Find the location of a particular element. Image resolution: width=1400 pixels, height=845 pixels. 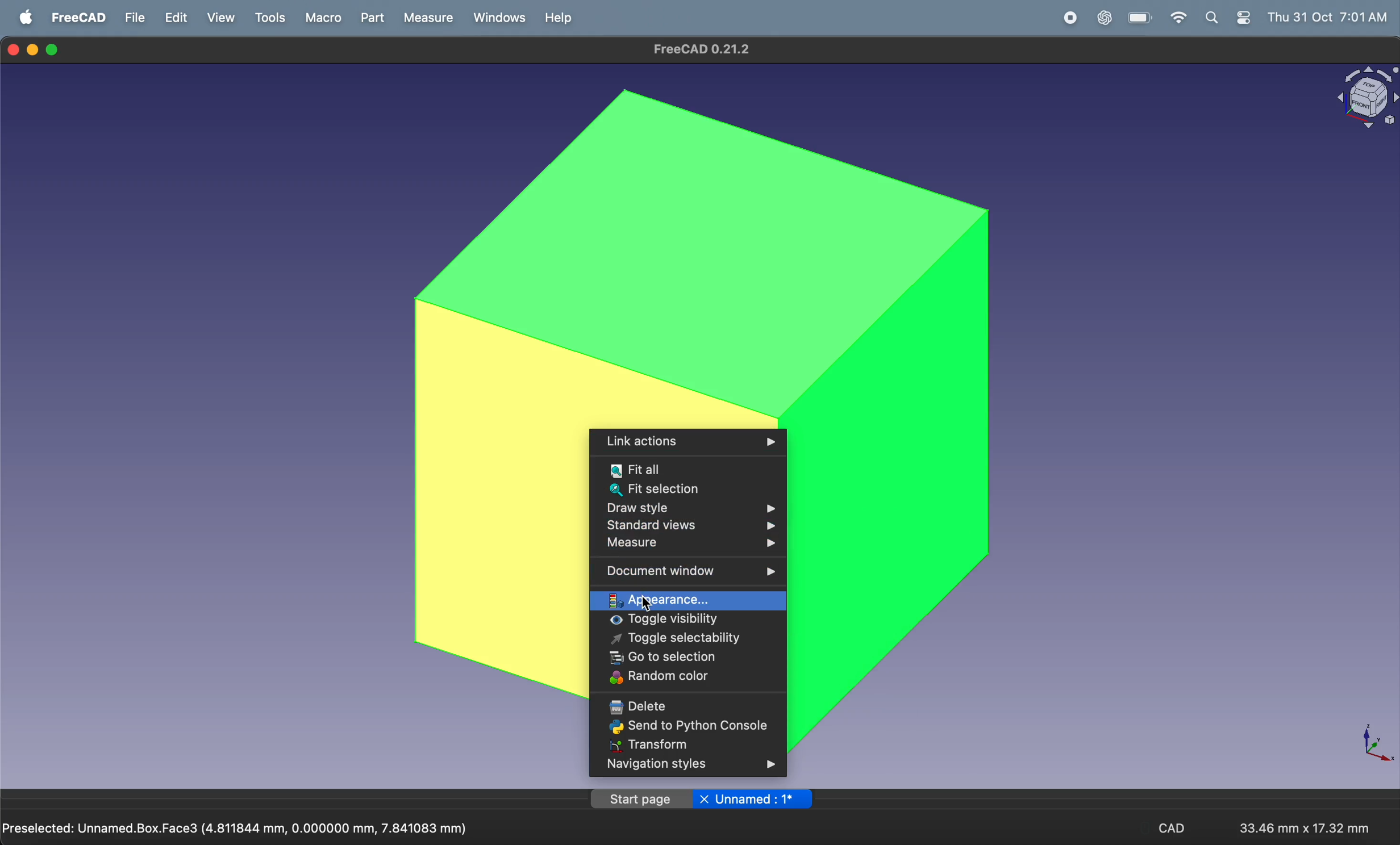

apple menu is located at coordinates (26, 18).